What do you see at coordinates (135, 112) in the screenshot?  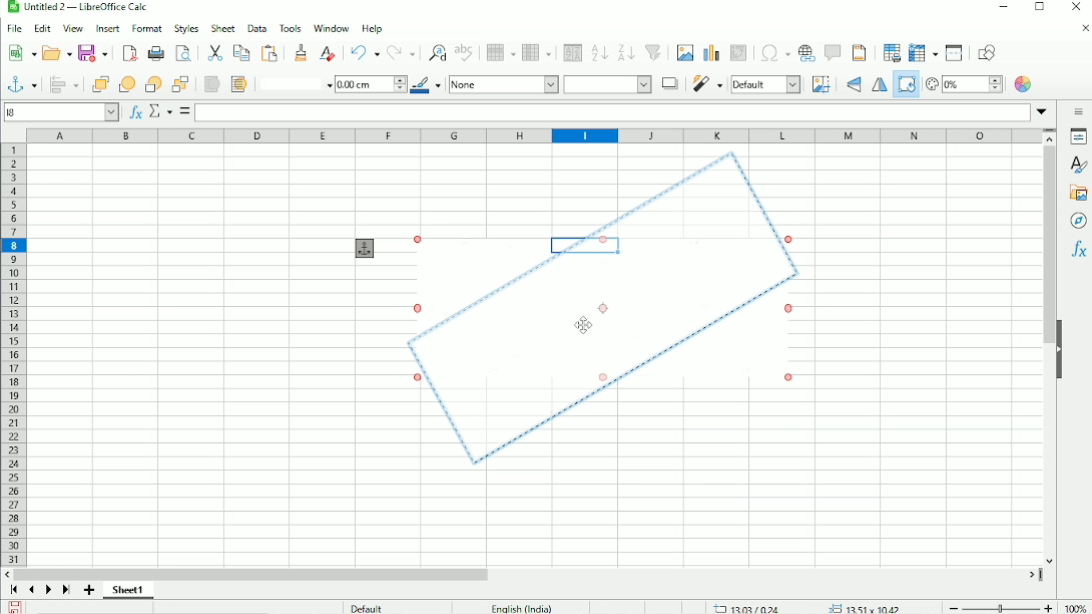 I see `Function wizard` at bounding box center [135, 112].